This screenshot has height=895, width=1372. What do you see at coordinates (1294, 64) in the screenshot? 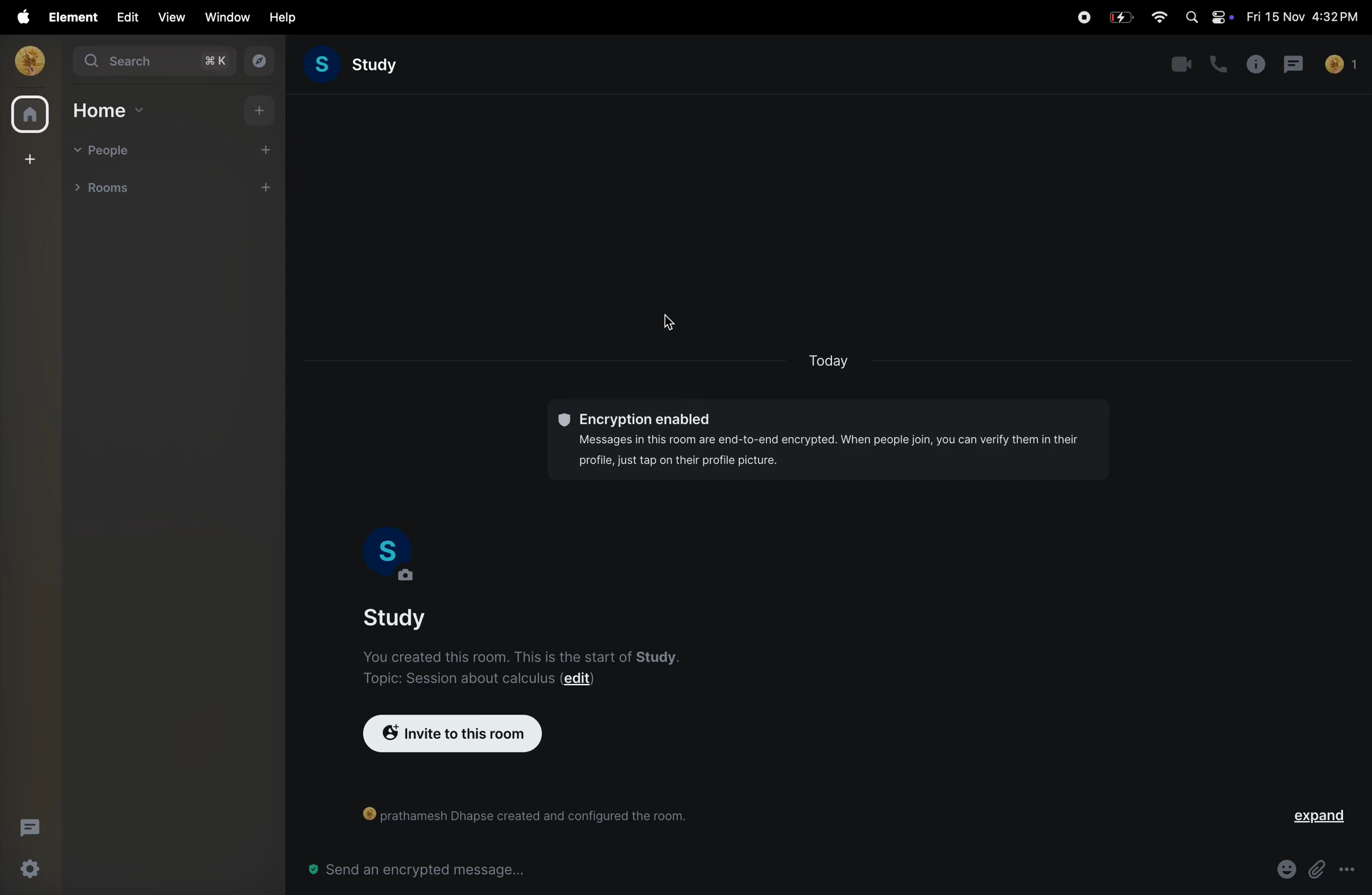
I see `messages` at bounding box center [1294, 64].